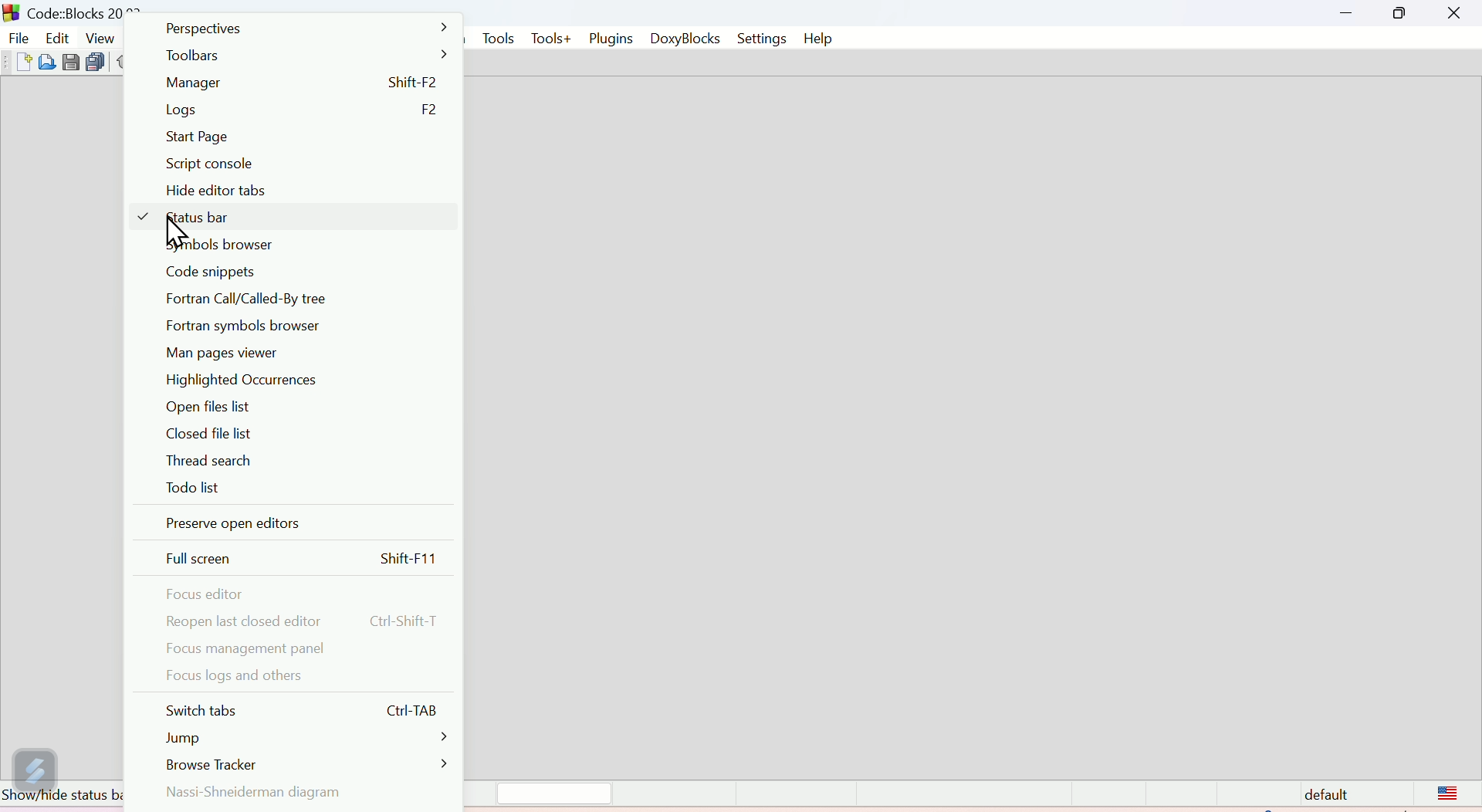 This screenshot has height=812, width=1482. I want to click on Reopen last closed editor, so click(304, 617).